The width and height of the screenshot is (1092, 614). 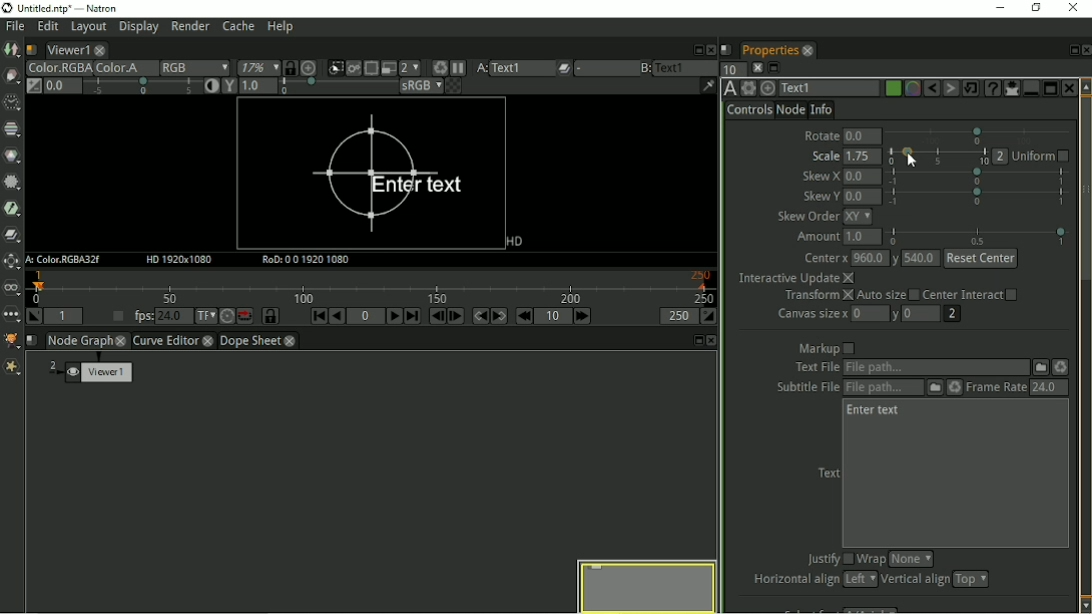 What do you see at coordinates (31, 50) in the screenshot?
I see `Script name` at bounding box center [31, 50].